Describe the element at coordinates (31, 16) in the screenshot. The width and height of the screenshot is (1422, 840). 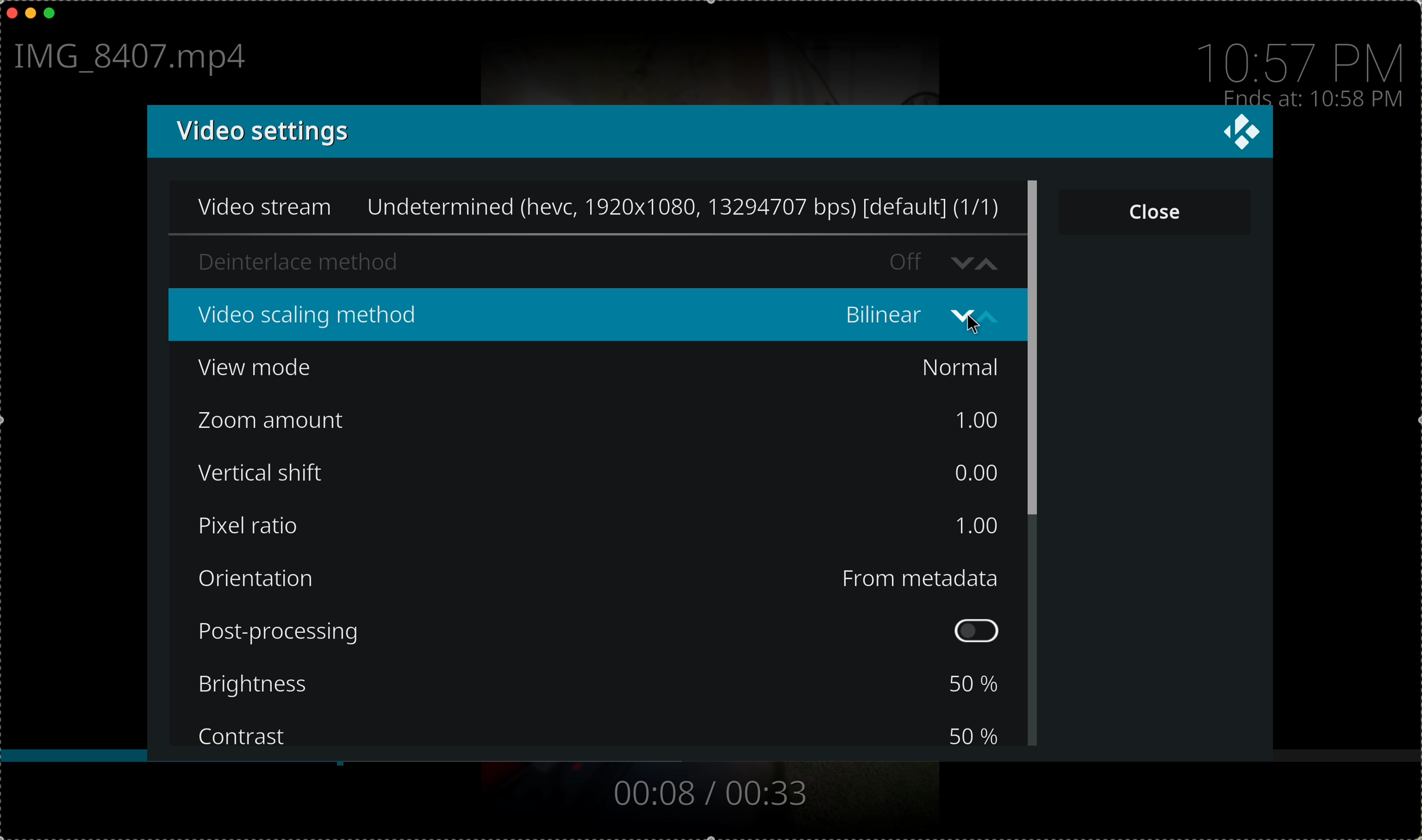
I see `minimize` at that location.